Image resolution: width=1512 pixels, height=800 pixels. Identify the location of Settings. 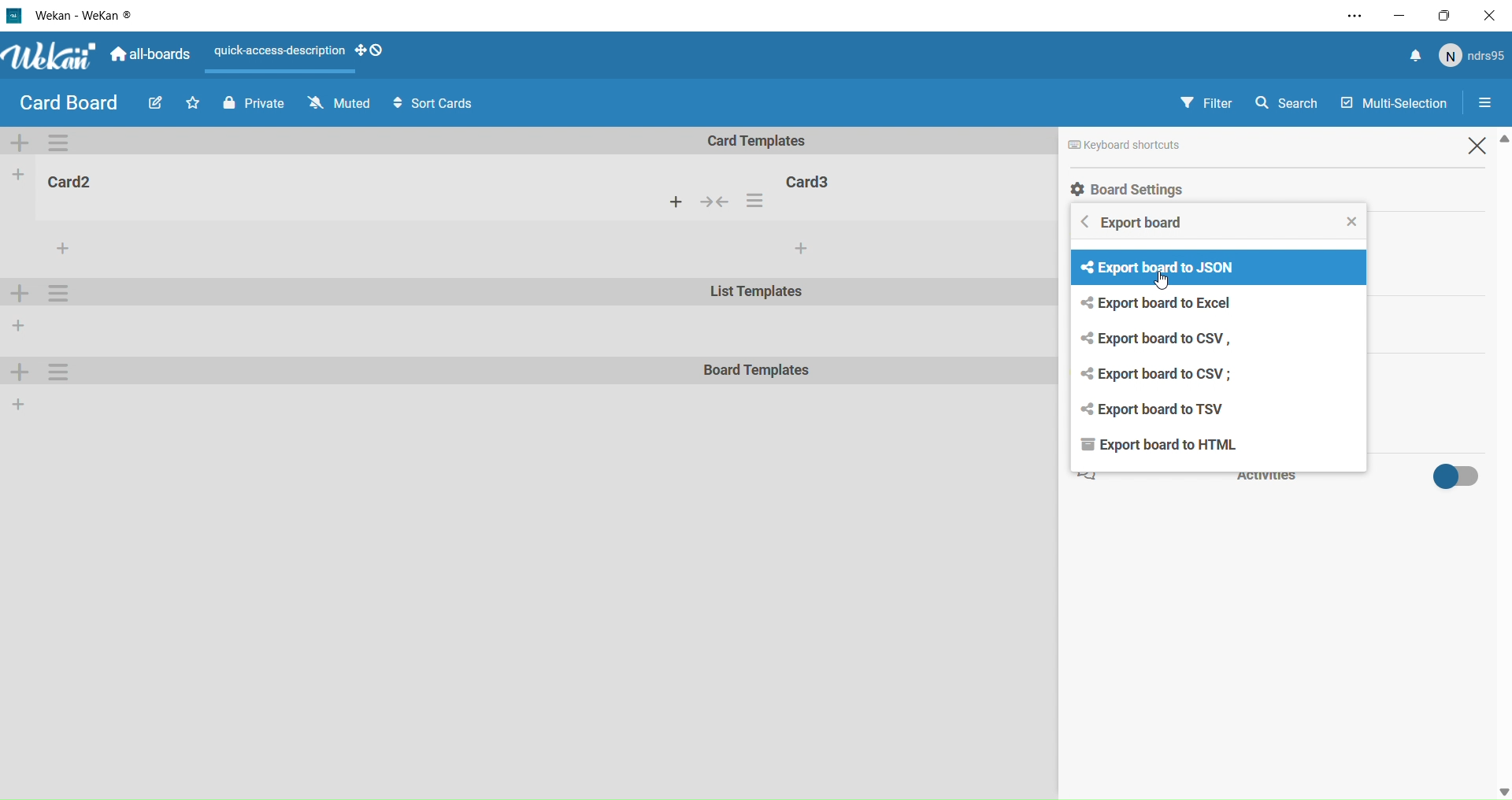
(1492, 104).